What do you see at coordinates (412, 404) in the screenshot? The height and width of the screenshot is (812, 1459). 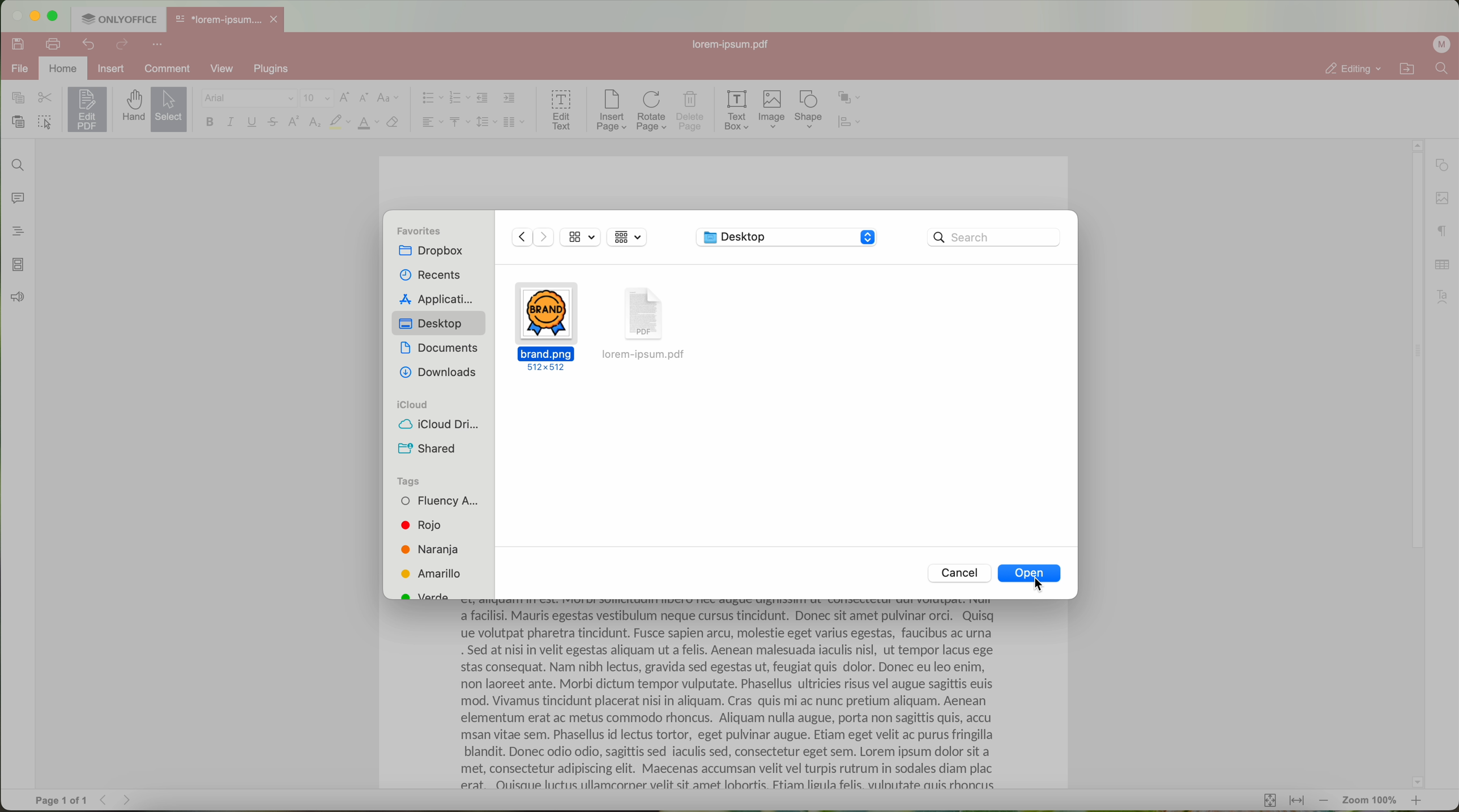 I see `icloud` at bounding box center [412, 404].